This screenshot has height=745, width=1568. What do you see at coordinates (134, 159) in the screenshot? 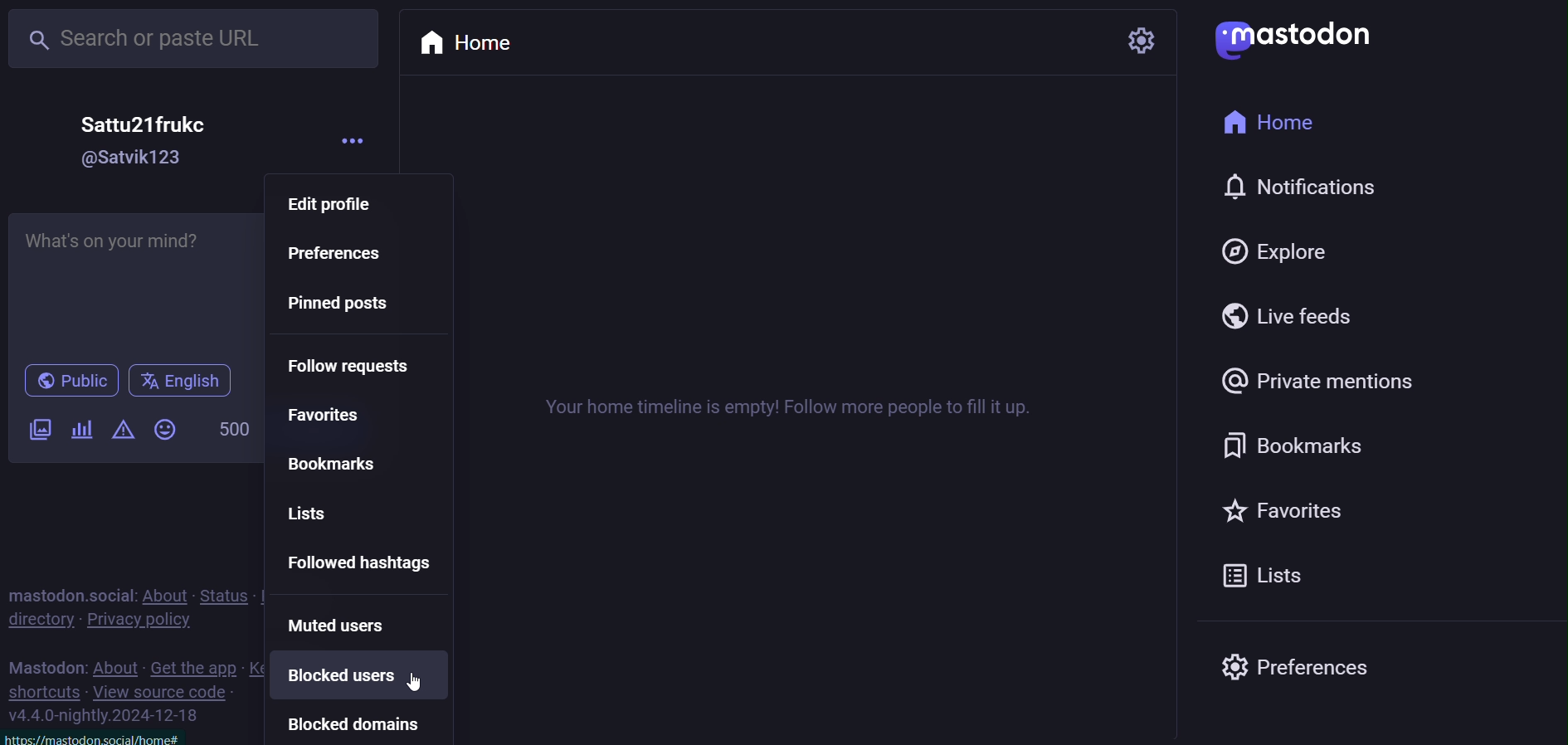
I see `@Satvik123` at bounding box center [134, 159].